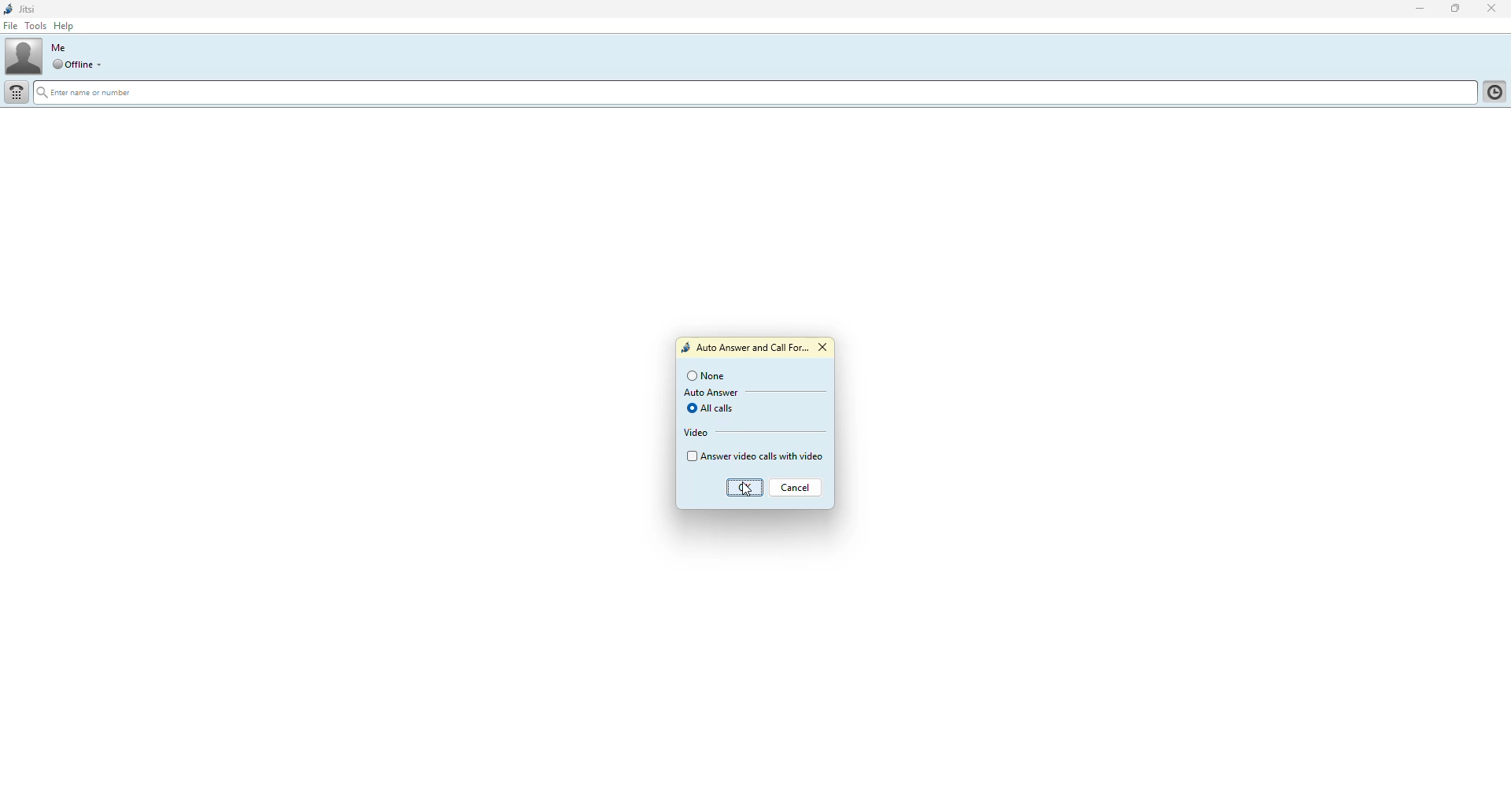 Image resolution: width=1511 pixels, height=812 pixels. What do you see at coordinates (755, 456) in the screenshot?
I see `answer video calls with video` at bounding box center [755, 456].